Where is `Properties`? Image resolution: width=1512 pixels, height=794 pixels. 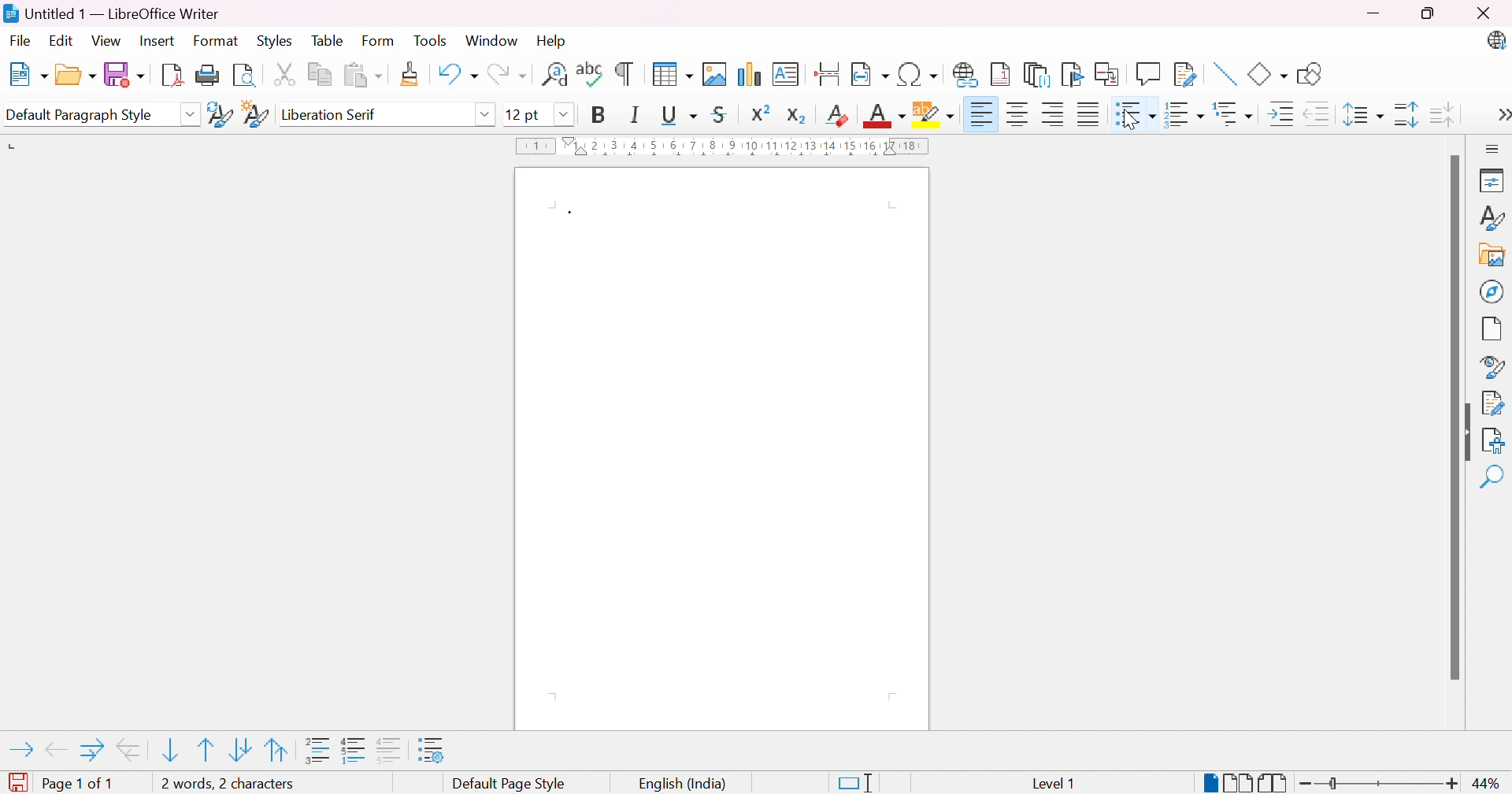 Properties is located at coordinates (1494, 181).